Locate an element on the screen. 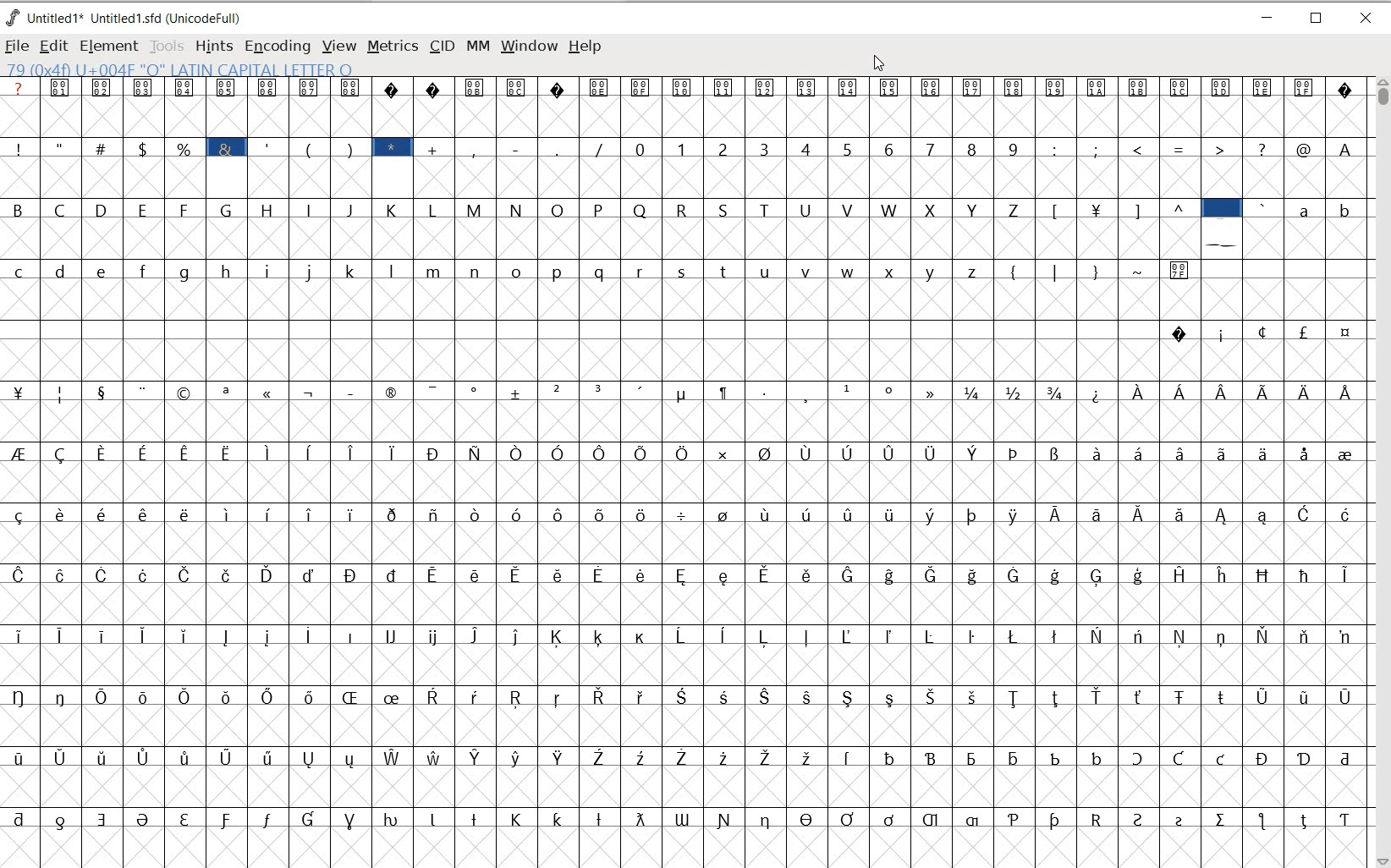 Image resolution: width=1391 pixels, height=868 pixels. CURSOR is located at coordinates (879, 64).